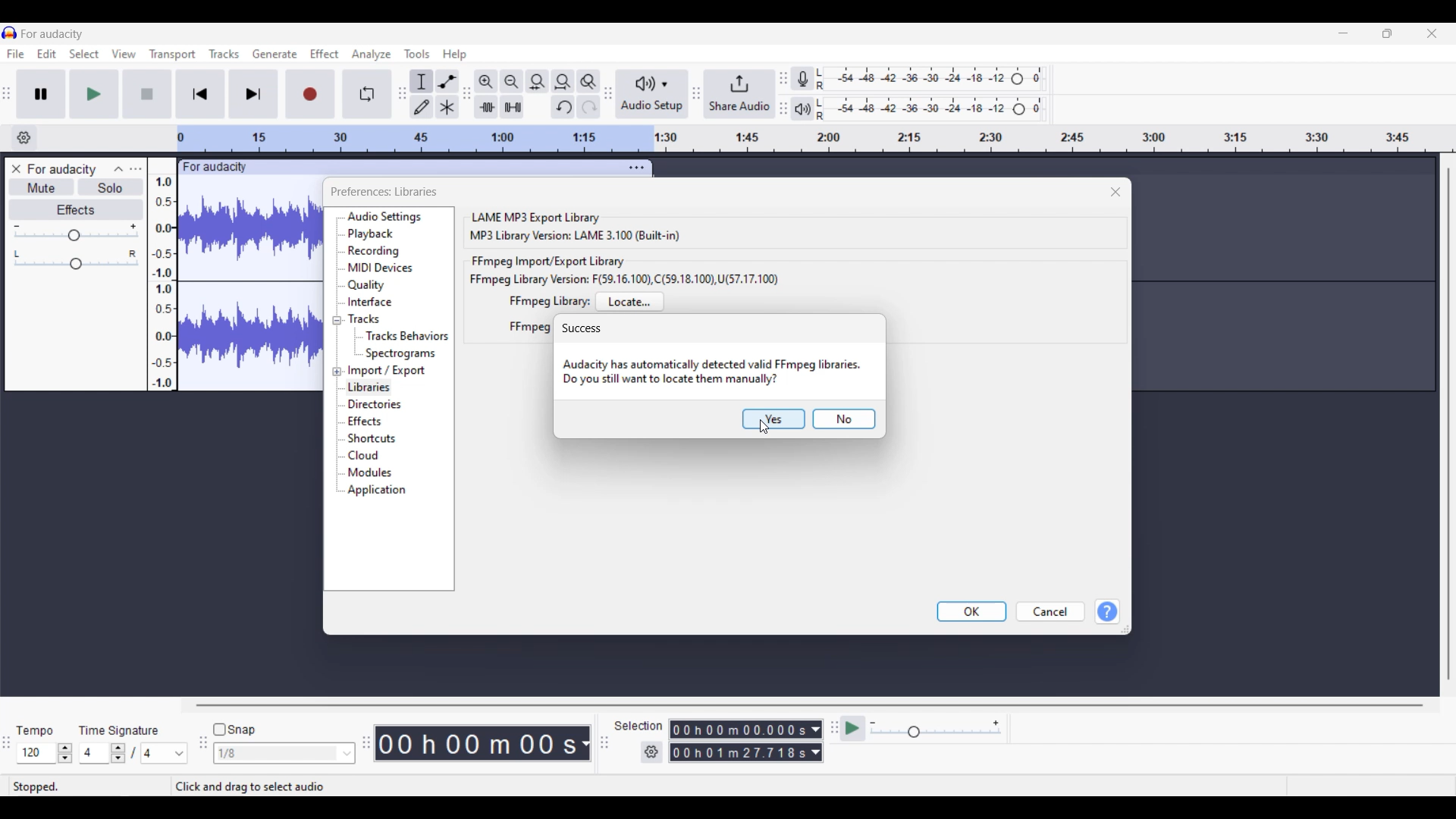 Image resolution: width=1456 pixels, height=819 pixels. Describe the element at coordinates (363, 318) in the screenshot. I see `Tracks` at that location.